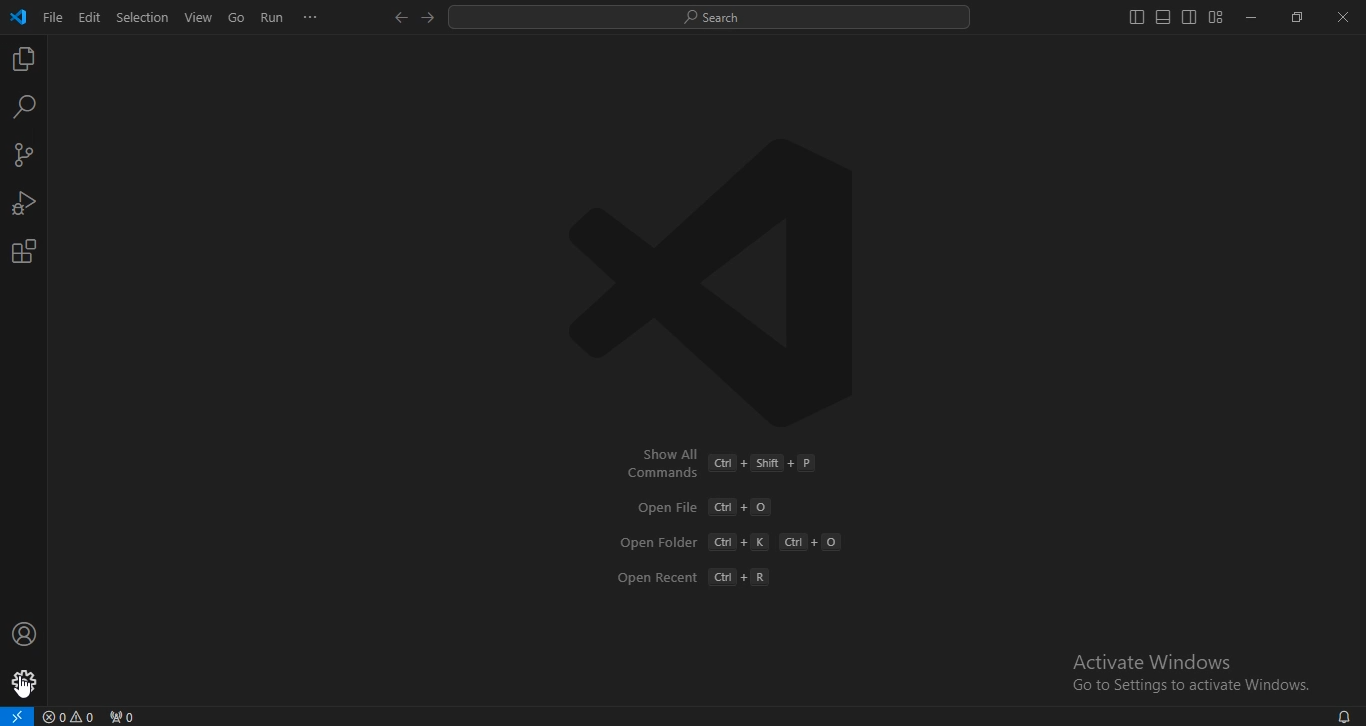 This screenshot has width=1366, height=726. Describe the element at coordinates (1162, 17) in the screenshot. I see `toggle panel` at that location.